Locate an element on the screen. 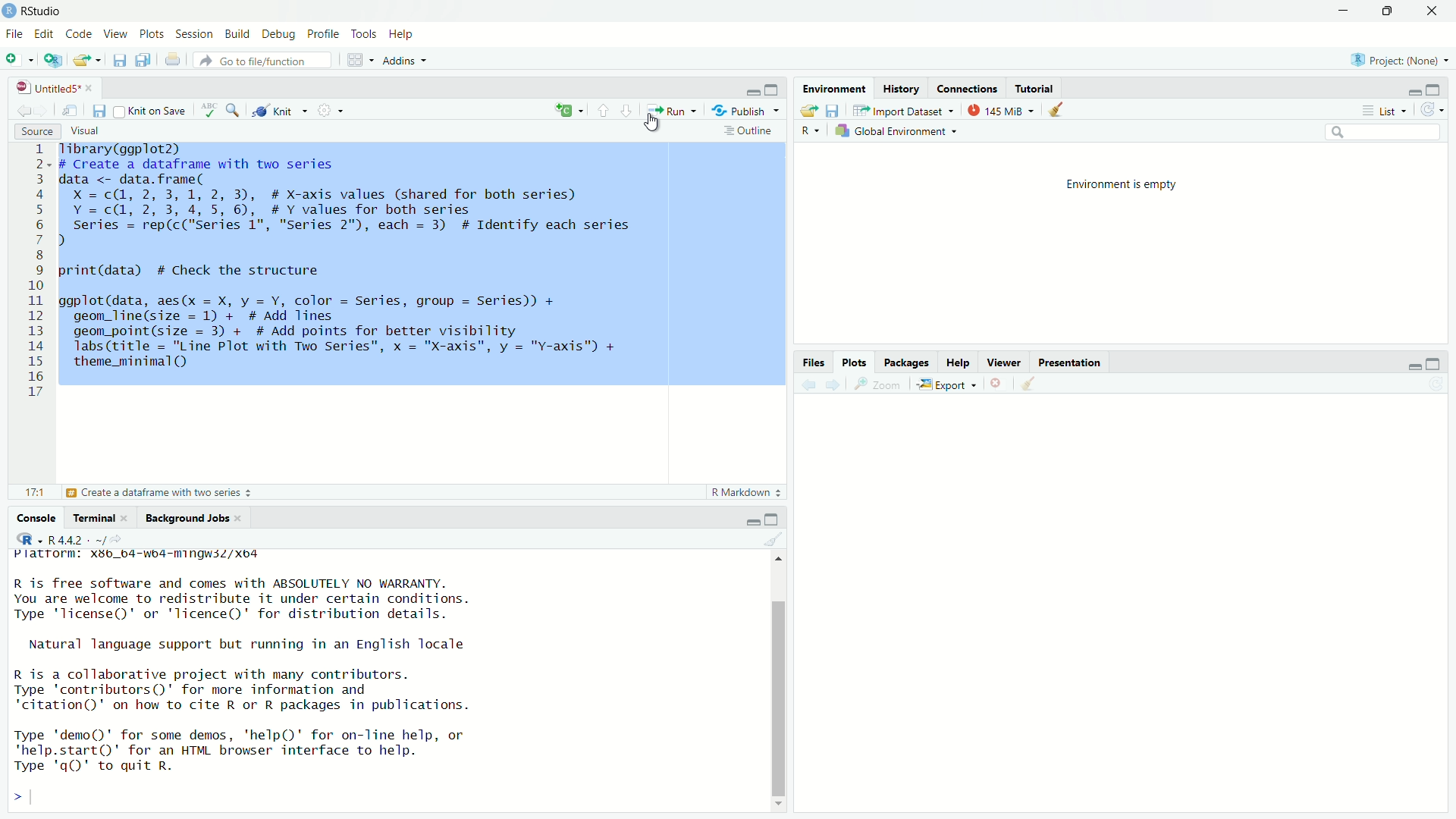 The image size is (1456, 819). Maximize is located at coordinates (1436, 90).